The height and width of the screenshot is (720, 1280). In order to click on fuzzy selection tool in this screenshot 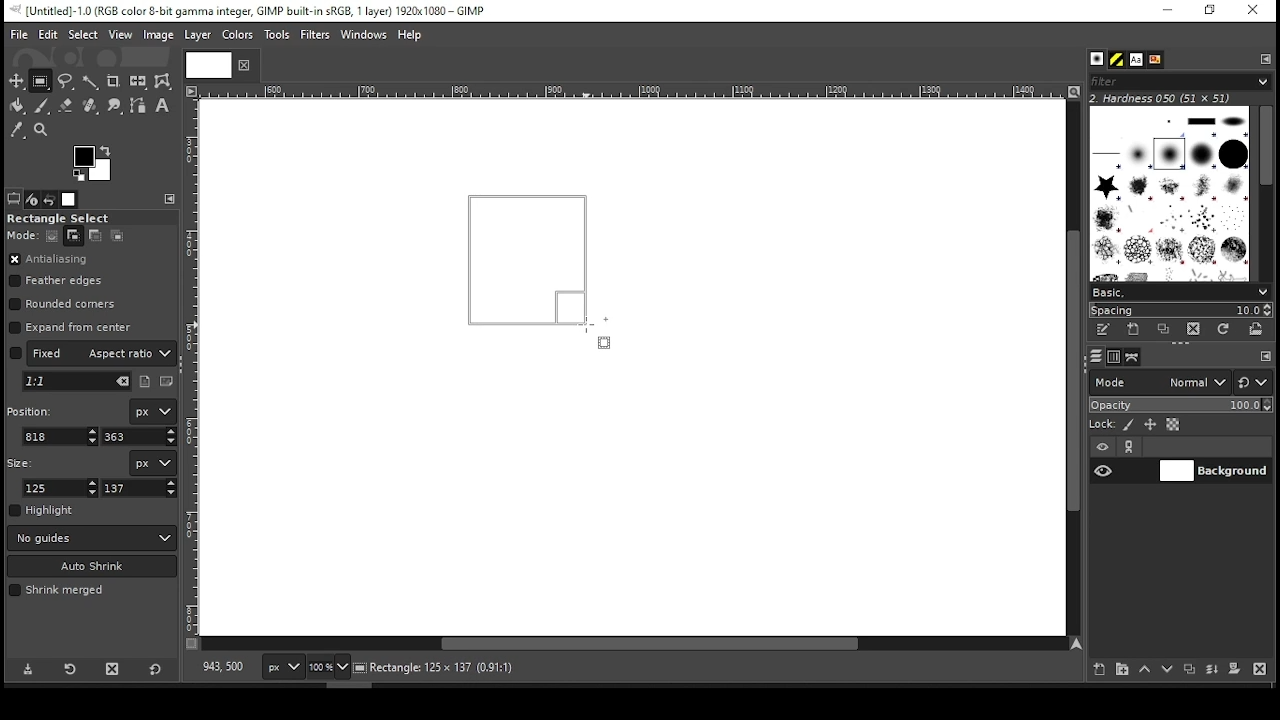, I will do `click(91, 82)`.